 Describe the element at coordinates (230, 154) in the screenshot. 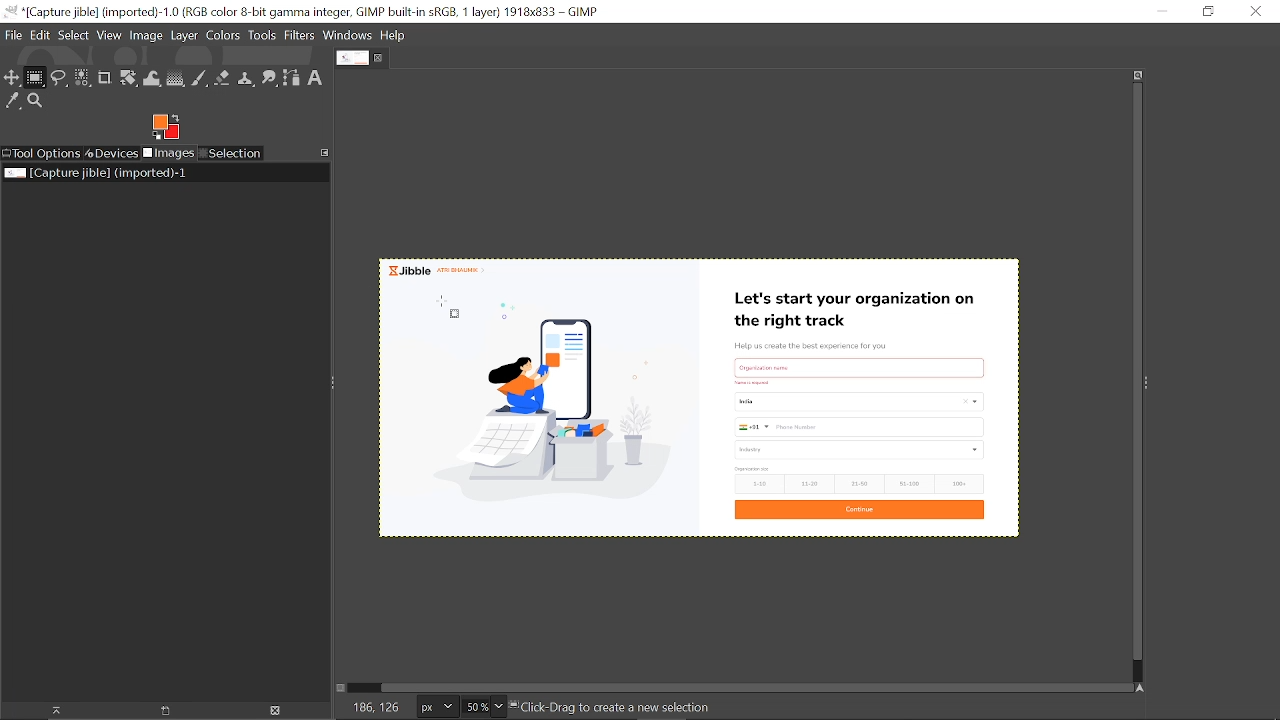

I see `Selection` at that location.